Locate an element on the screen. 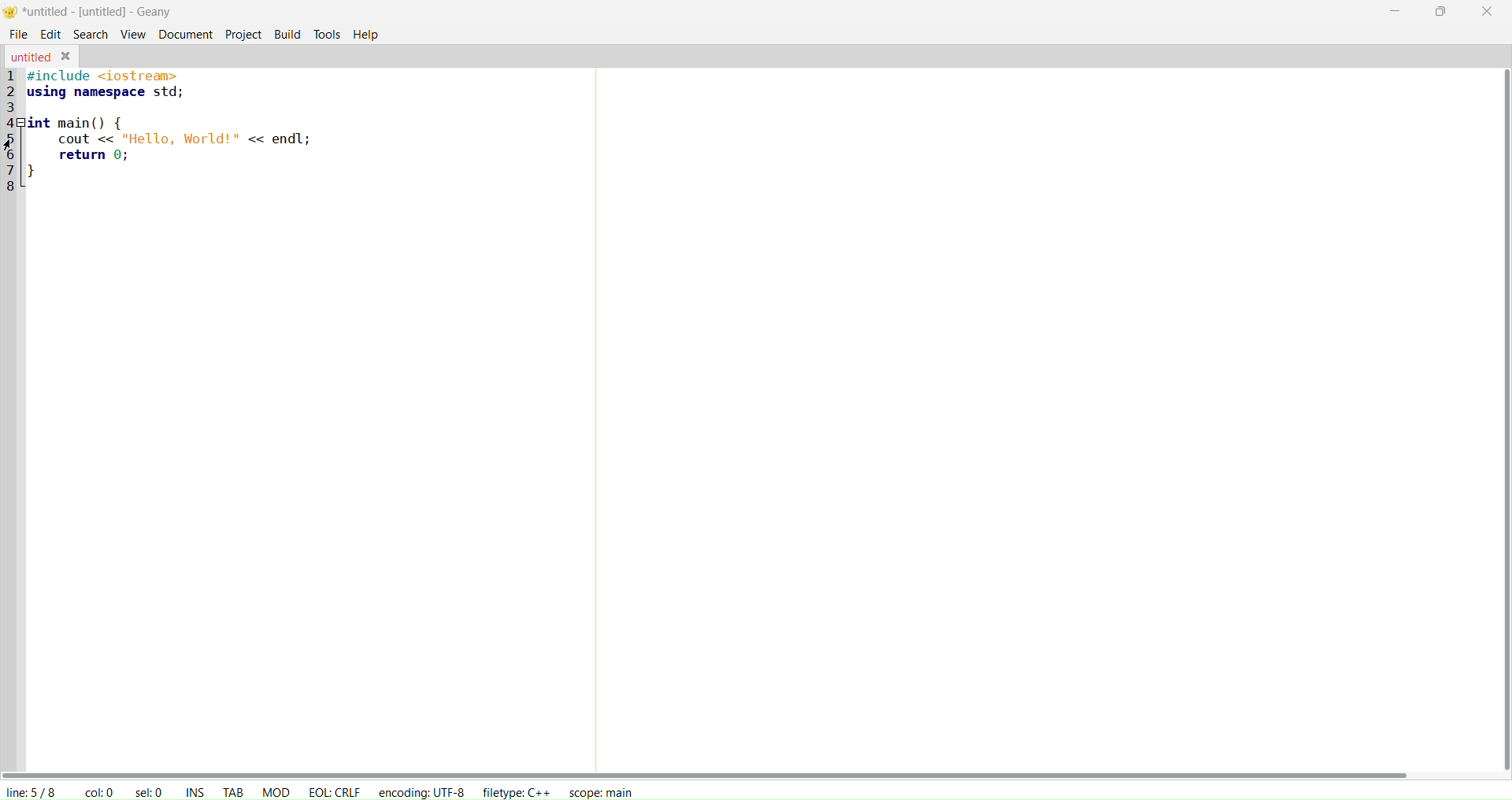  7 } is located at coordinates (36, 172).